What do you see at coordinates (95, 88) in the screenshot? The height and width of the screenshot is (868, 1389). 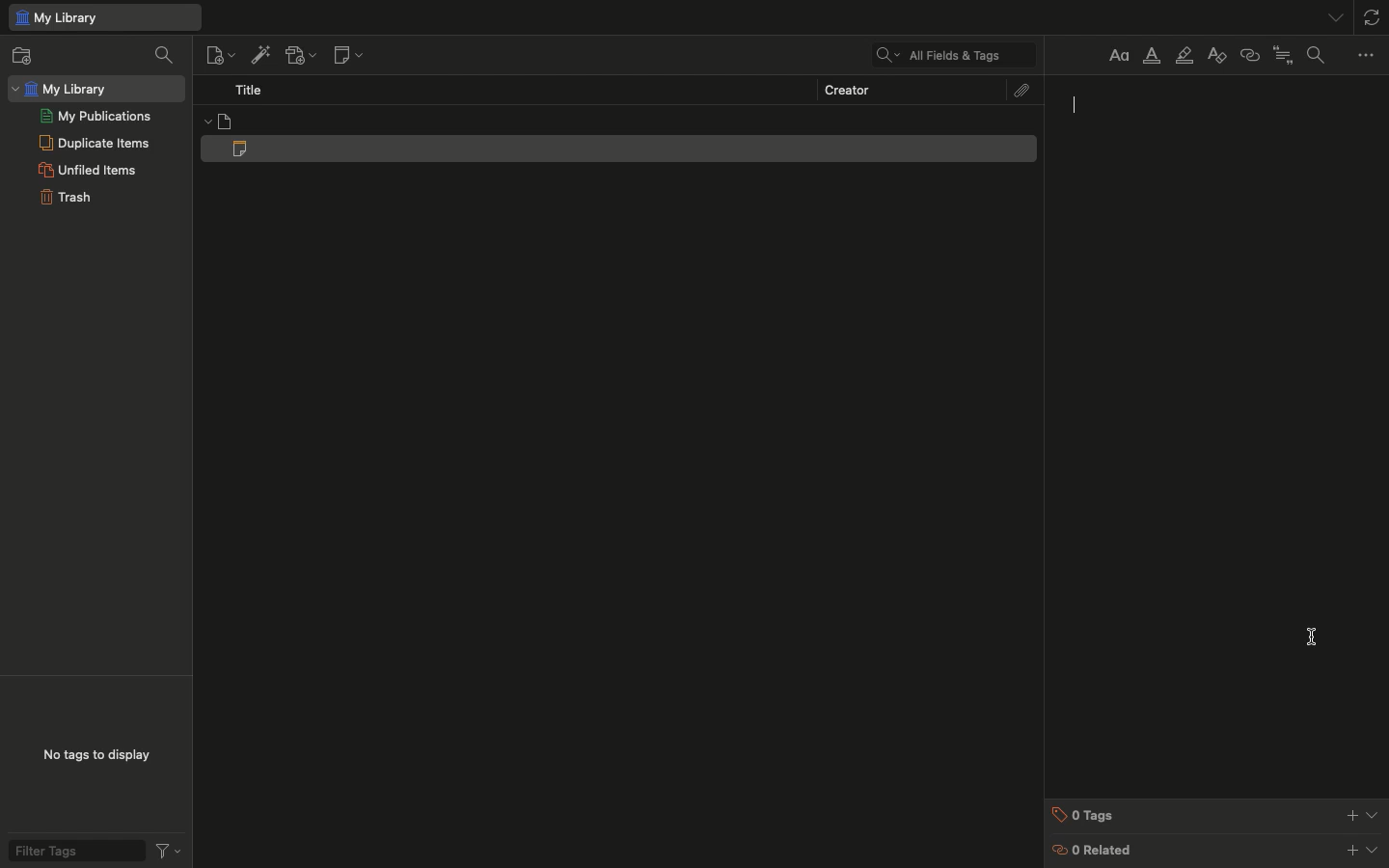 I see `My library` at bounding box center [95, 88].